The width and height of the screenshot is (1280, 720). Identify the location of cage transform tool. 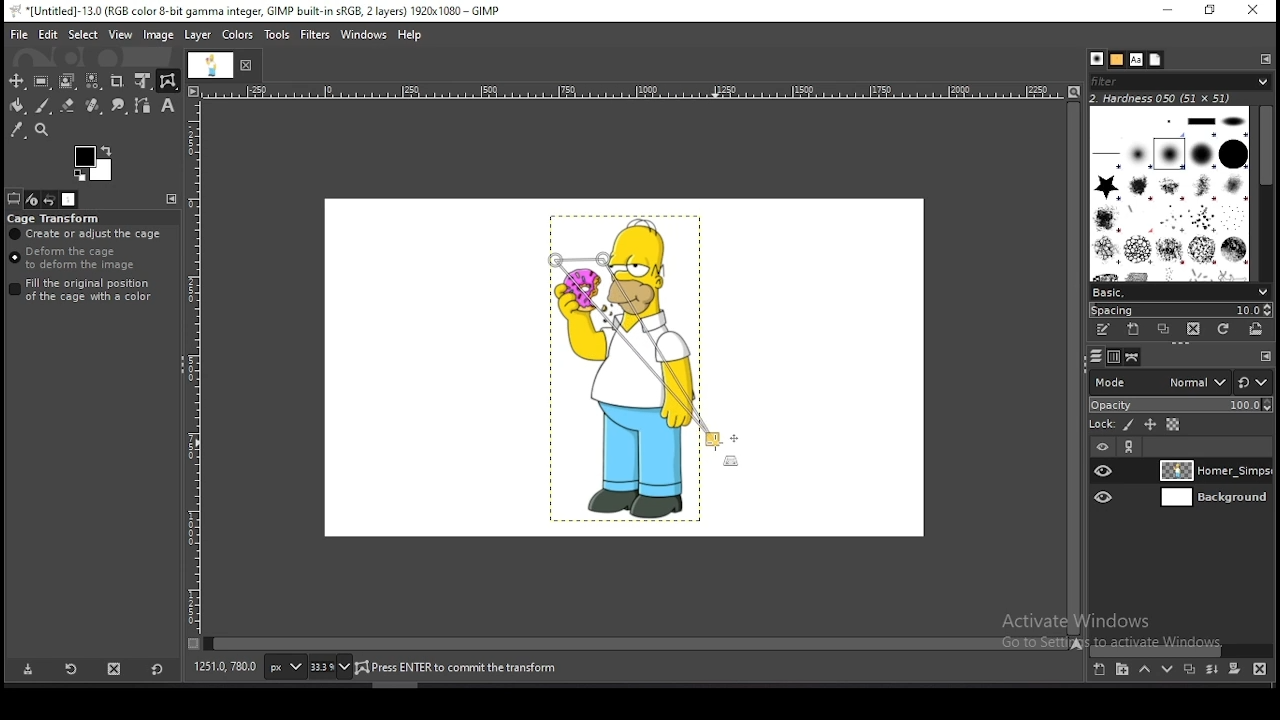
(168, 81).